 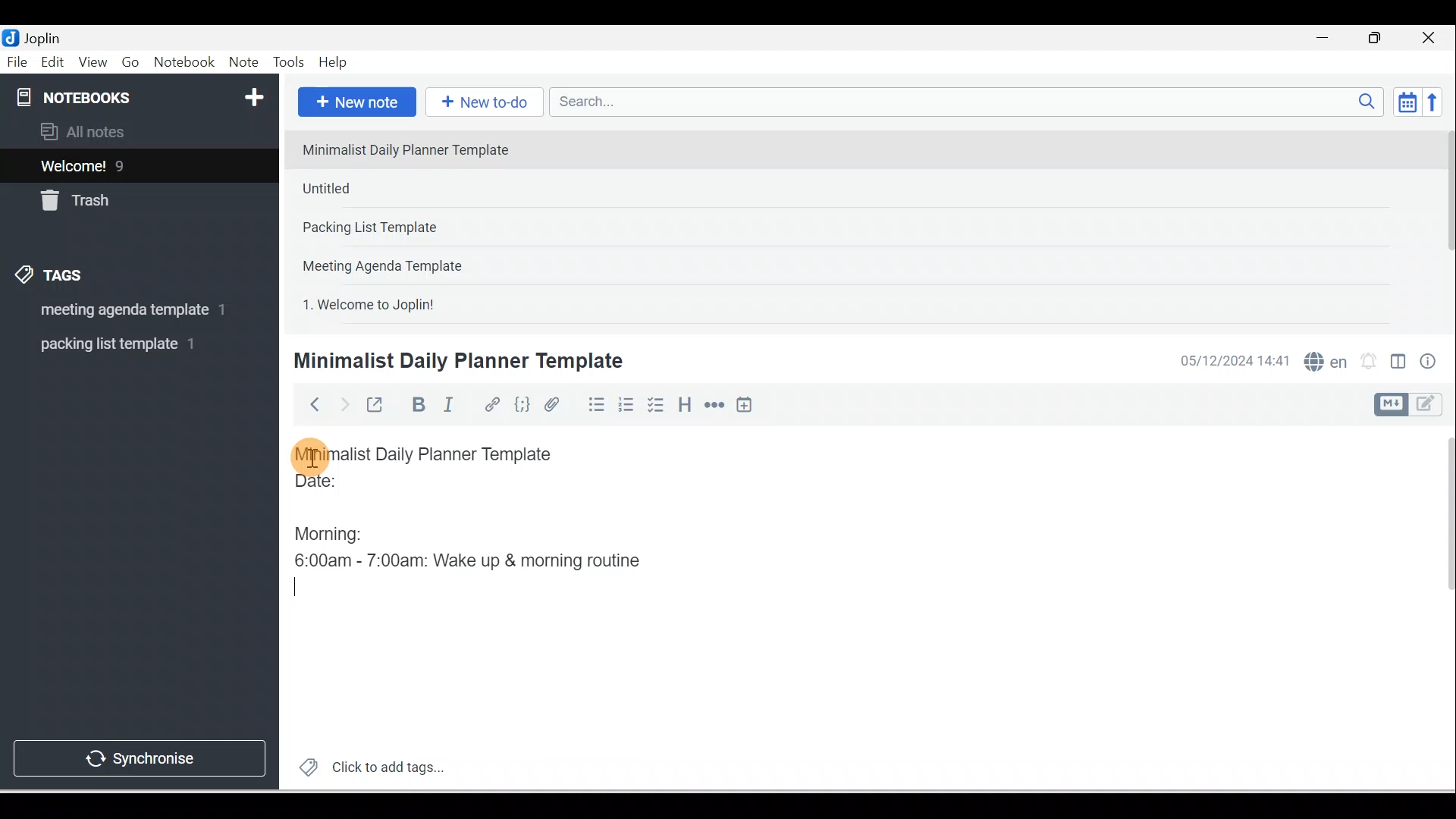 I want to click on Minimise, so click(x=1327, y=39).